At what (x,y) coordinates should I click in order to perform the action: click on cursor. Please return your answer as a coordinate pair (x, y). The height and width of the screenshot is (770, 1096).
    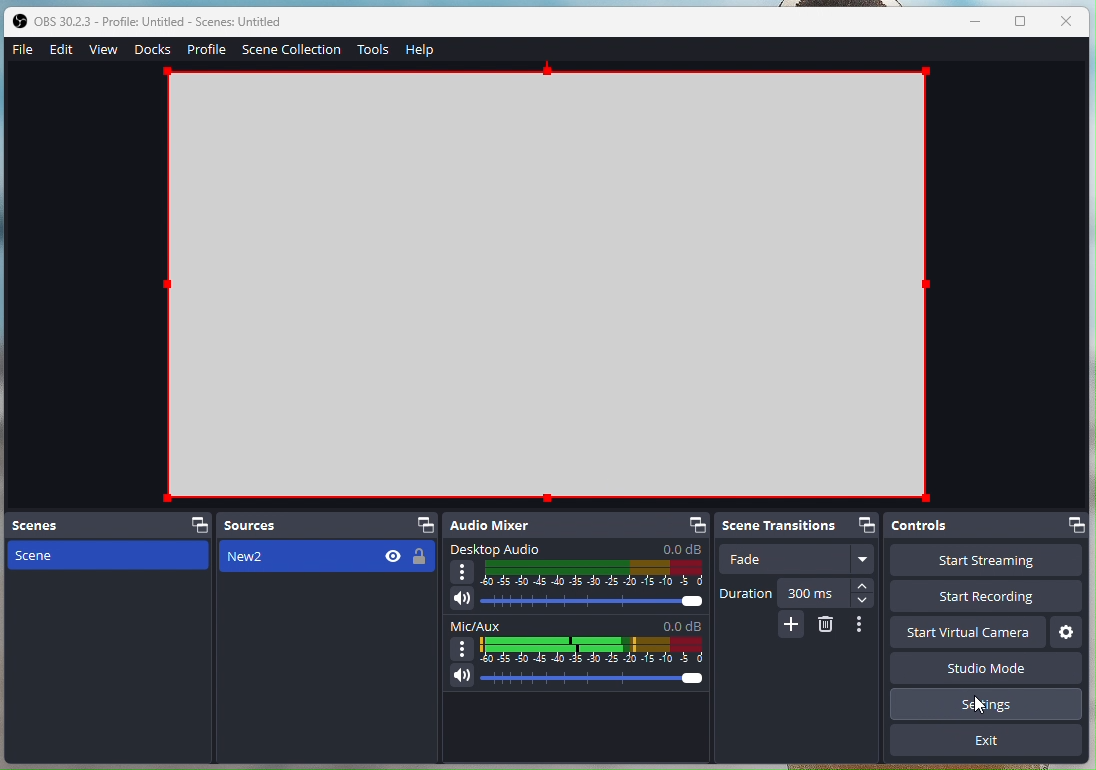
    Looking at the image, I should click on (975, 706).